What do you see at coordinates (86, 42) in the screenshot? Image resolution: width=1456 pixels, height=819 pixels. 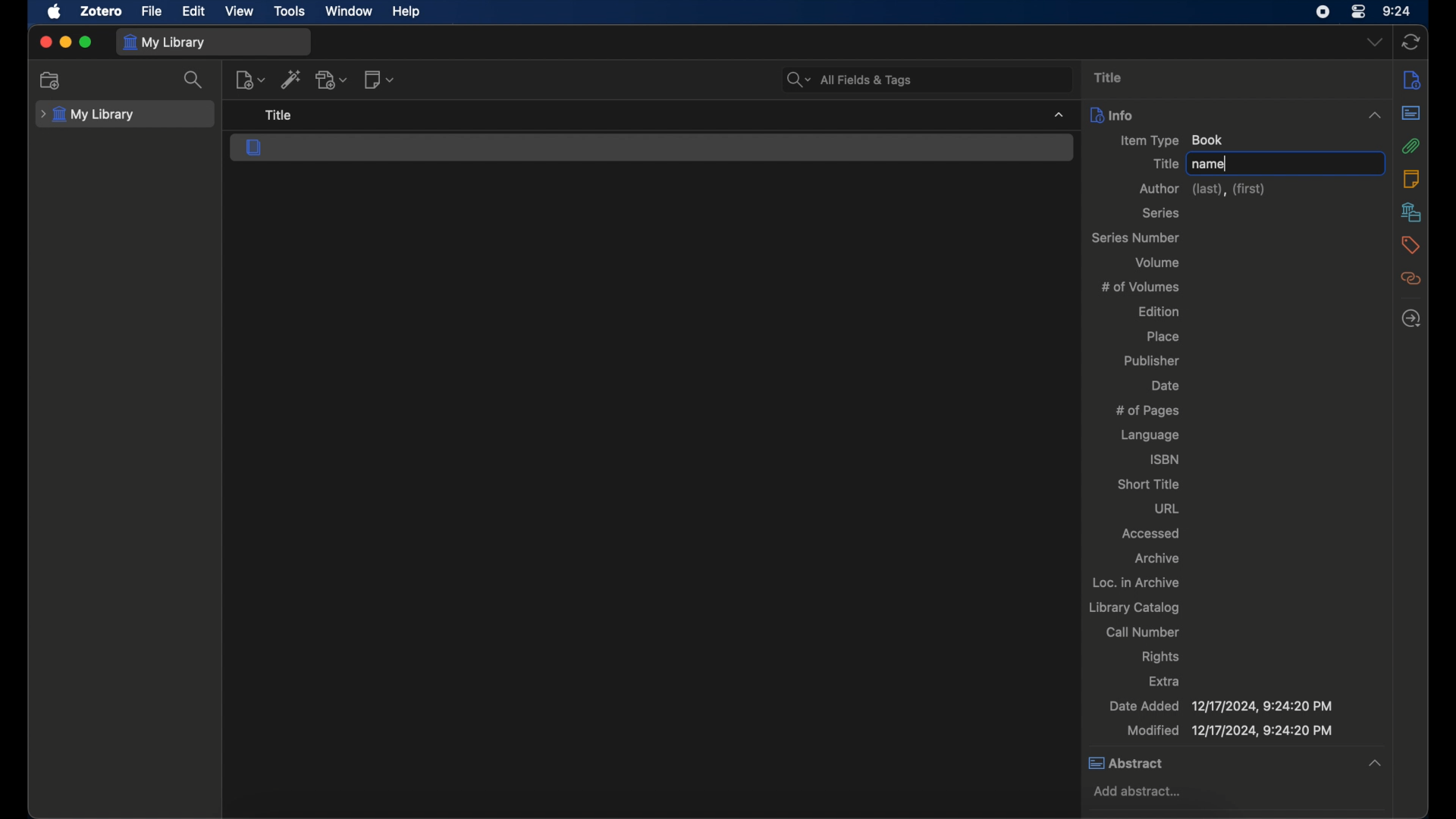 I see `maximize` at bounding box center [86, 42].